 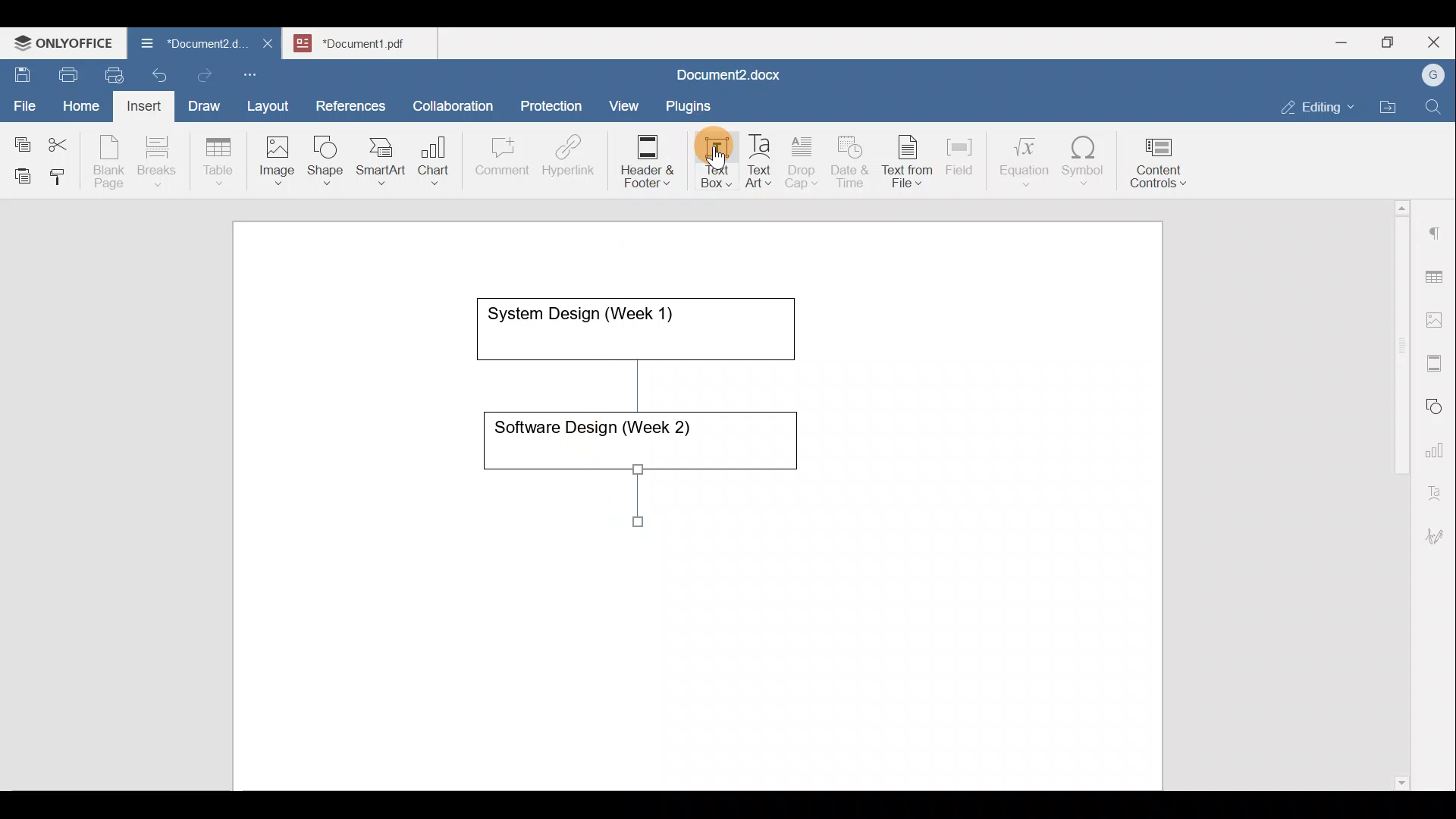 I want to click on Home, so click(x=82, y=105).